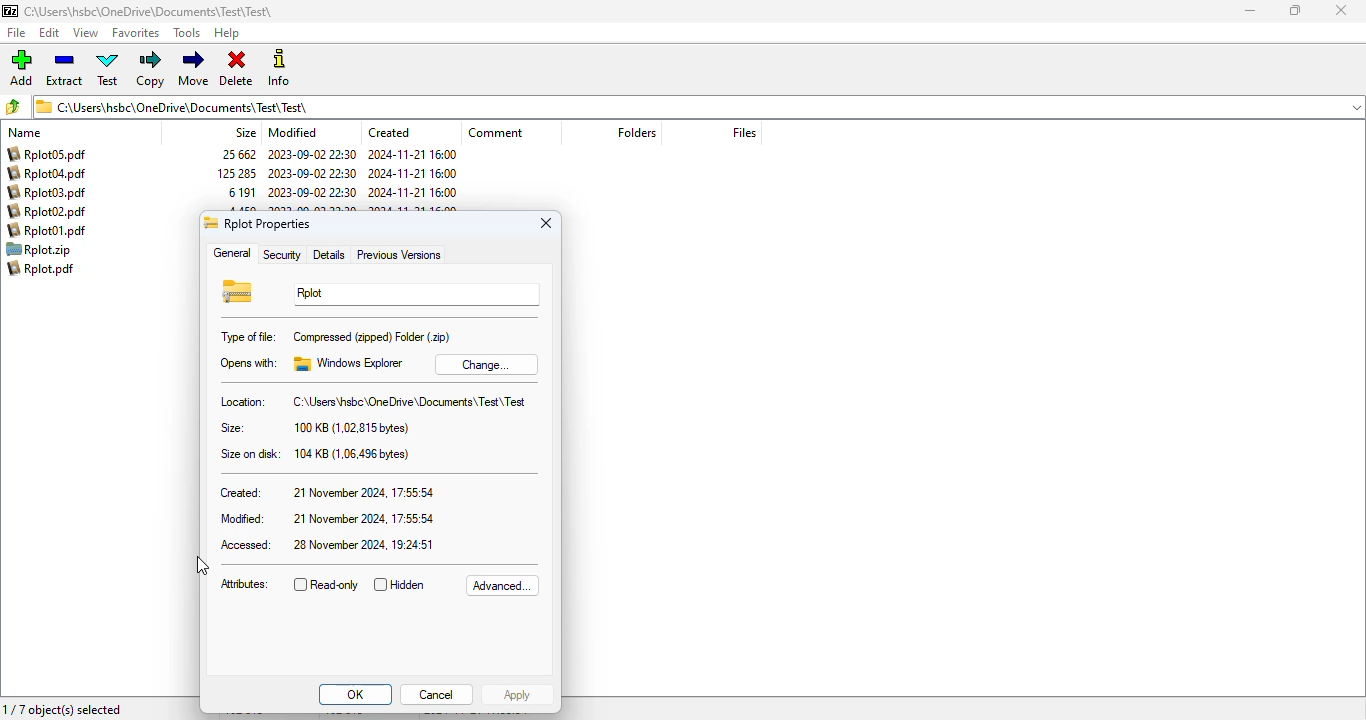  What do you see at coordinates (389, 133) in the screenshot?
I see `created` at bounding box center [389, 133].